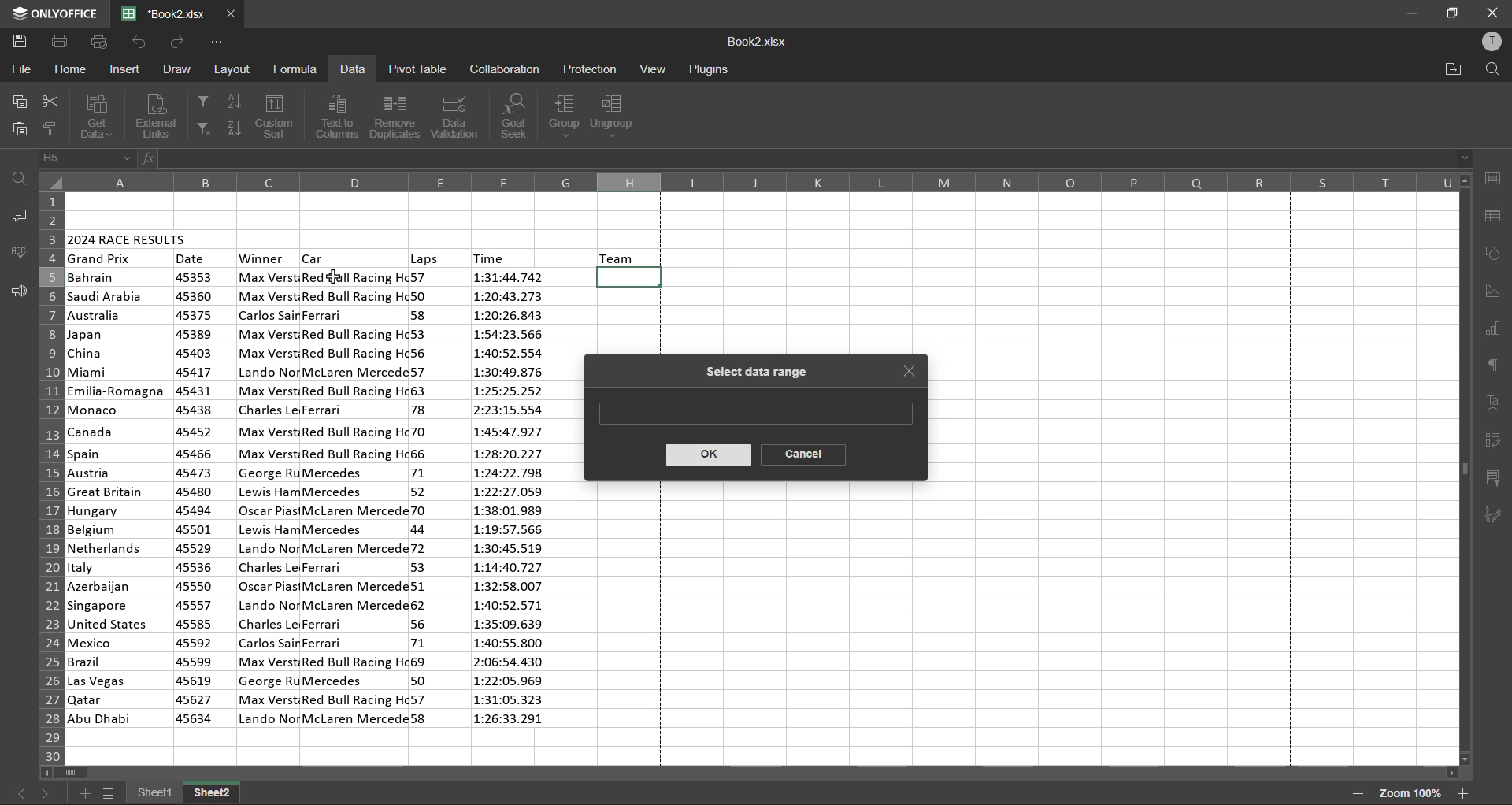 The height and width of the screenshot is (805, 1512). Describe the element at coordinates (47, 104) in the screenshot. I see `cut` at that location.